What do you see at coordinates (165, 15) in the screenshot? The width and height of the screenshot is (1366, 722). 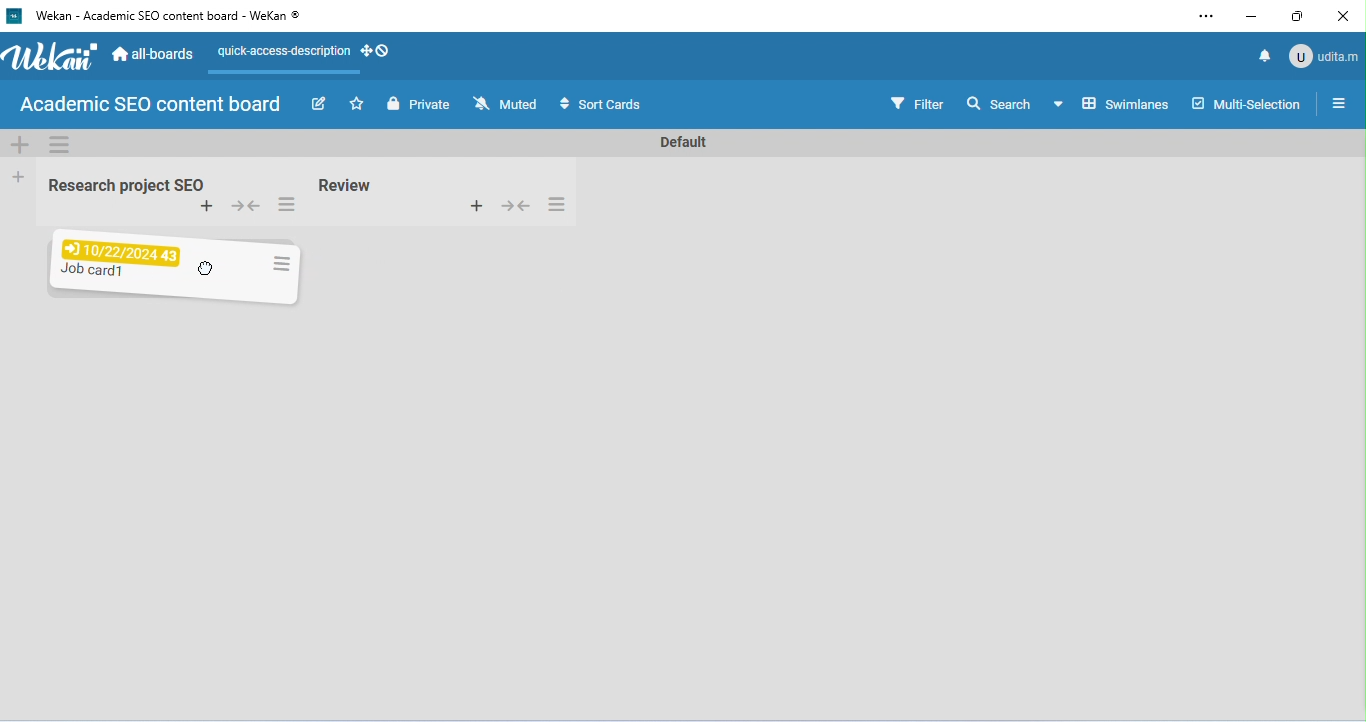 I see `current window: Wekan - Academic SEO content board - WeKan` at bounding box center [165, 15].